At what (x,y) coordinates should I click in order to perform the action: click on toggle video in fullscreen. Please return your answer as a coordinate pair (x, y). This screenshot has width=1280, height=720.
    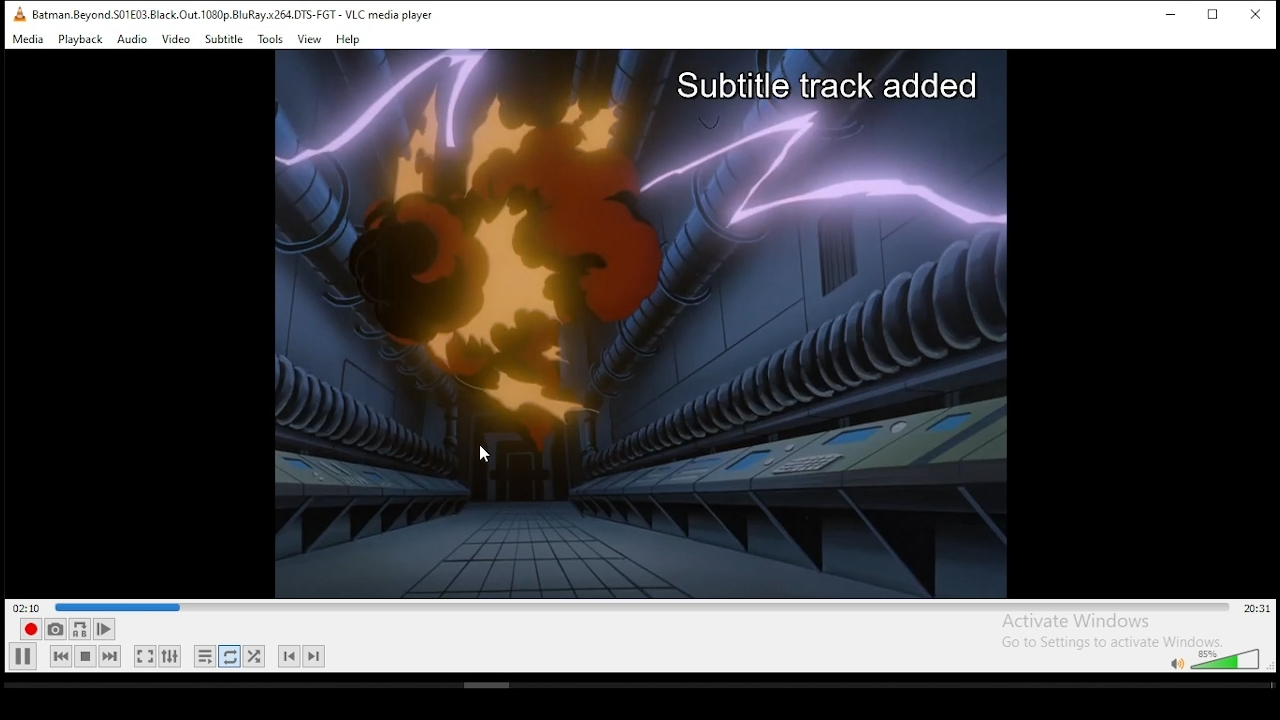
    Looking at the image, I should click on (145, 656).